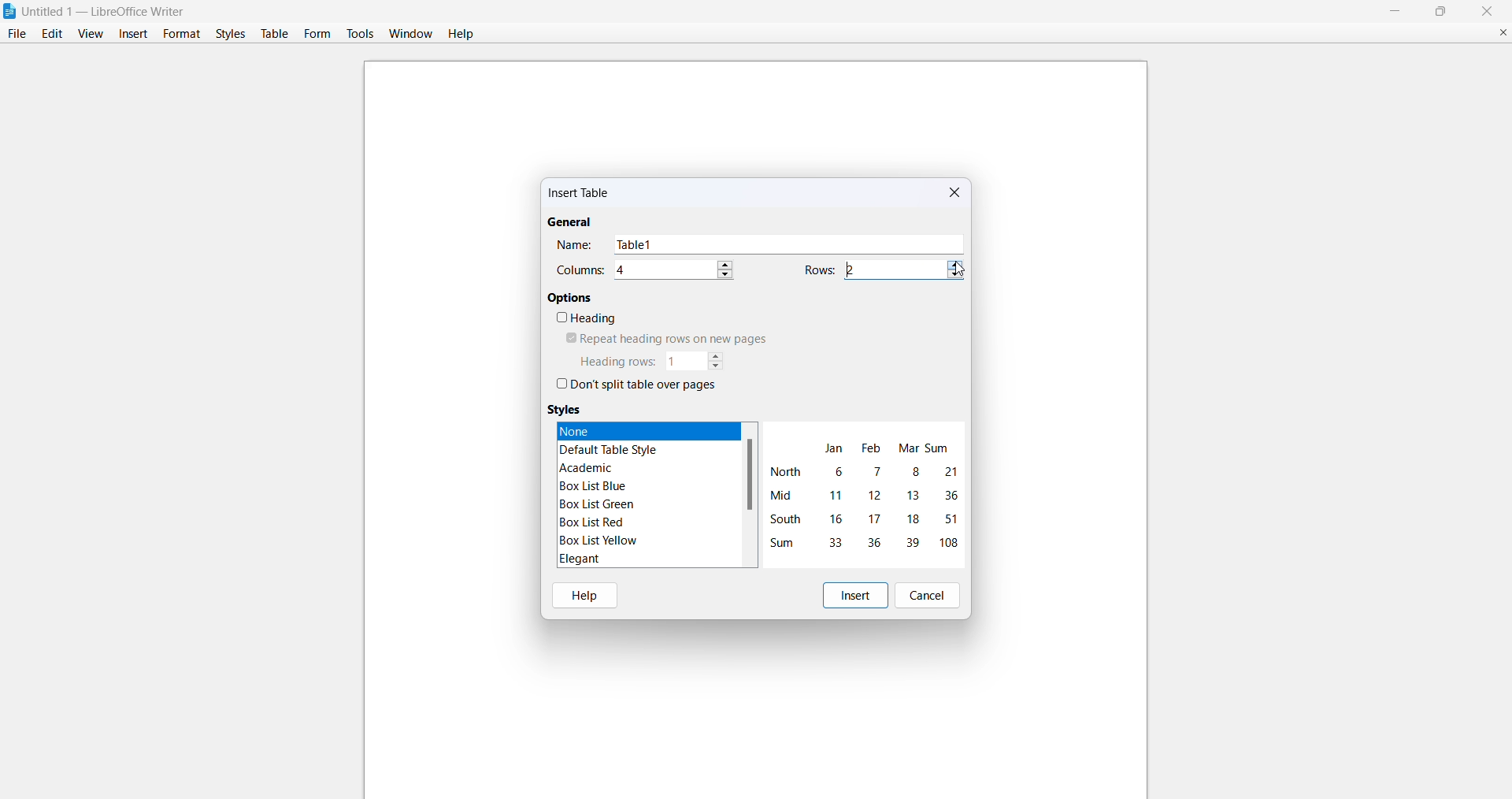 This screenshot has height=799, width=1512. Describe the element at coordinates (728, 262) in the screenshot. I see `increase column` at that location.